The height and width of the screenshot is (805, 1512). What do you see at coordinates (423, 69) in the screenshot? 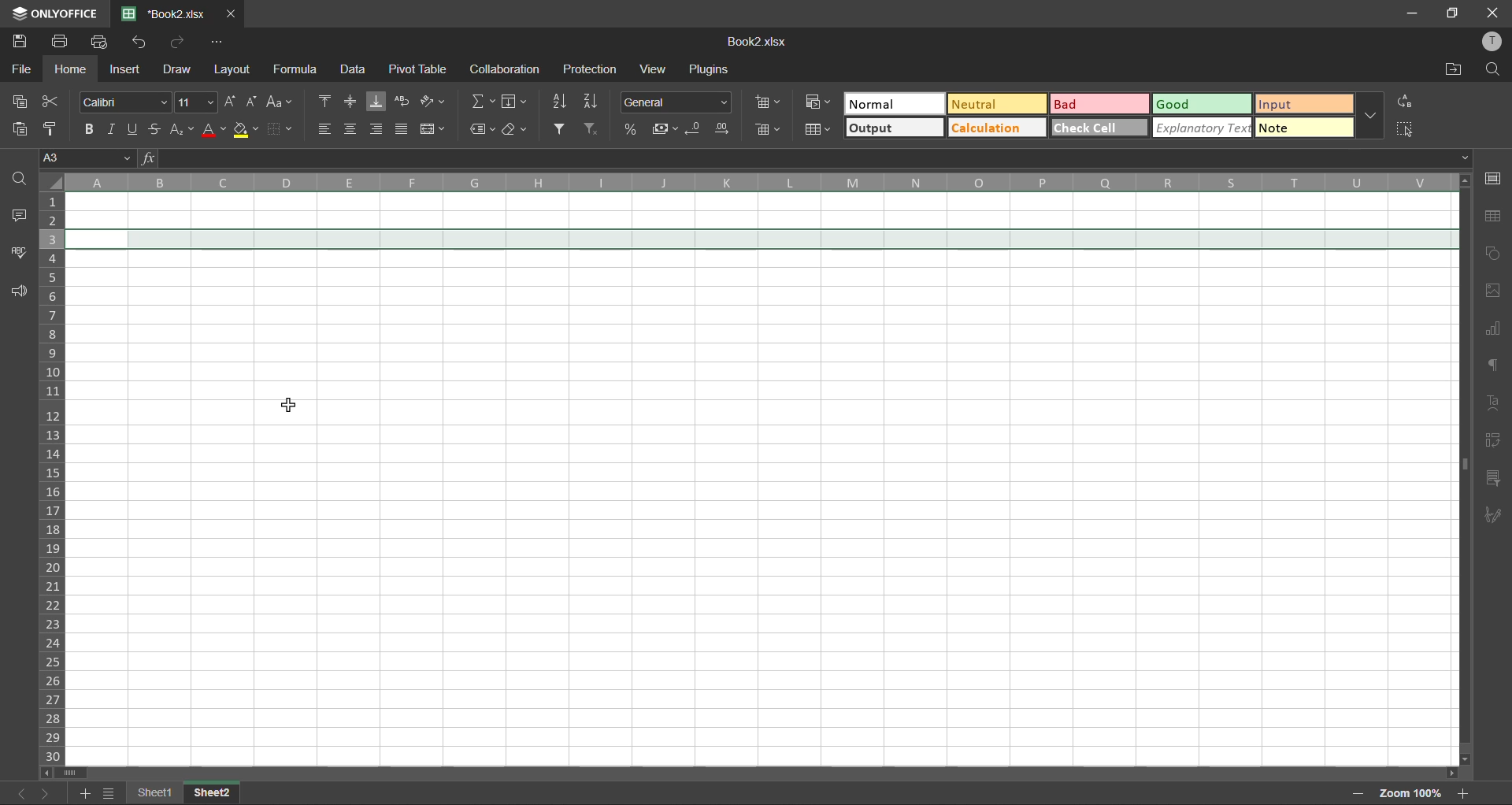
I see `pivot table` at bounding box center [423, 69].